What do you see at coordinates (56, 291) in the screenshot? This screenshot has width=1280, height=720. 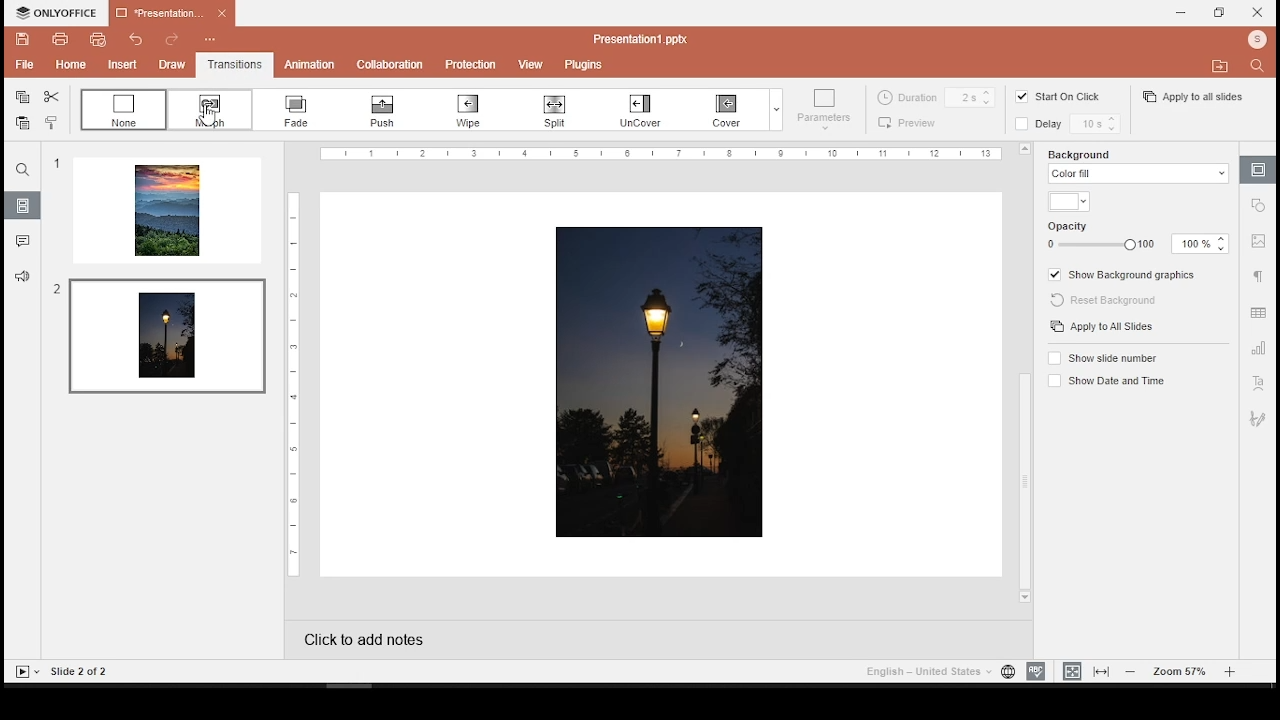 I see `2` at bounding box center [56, 291].